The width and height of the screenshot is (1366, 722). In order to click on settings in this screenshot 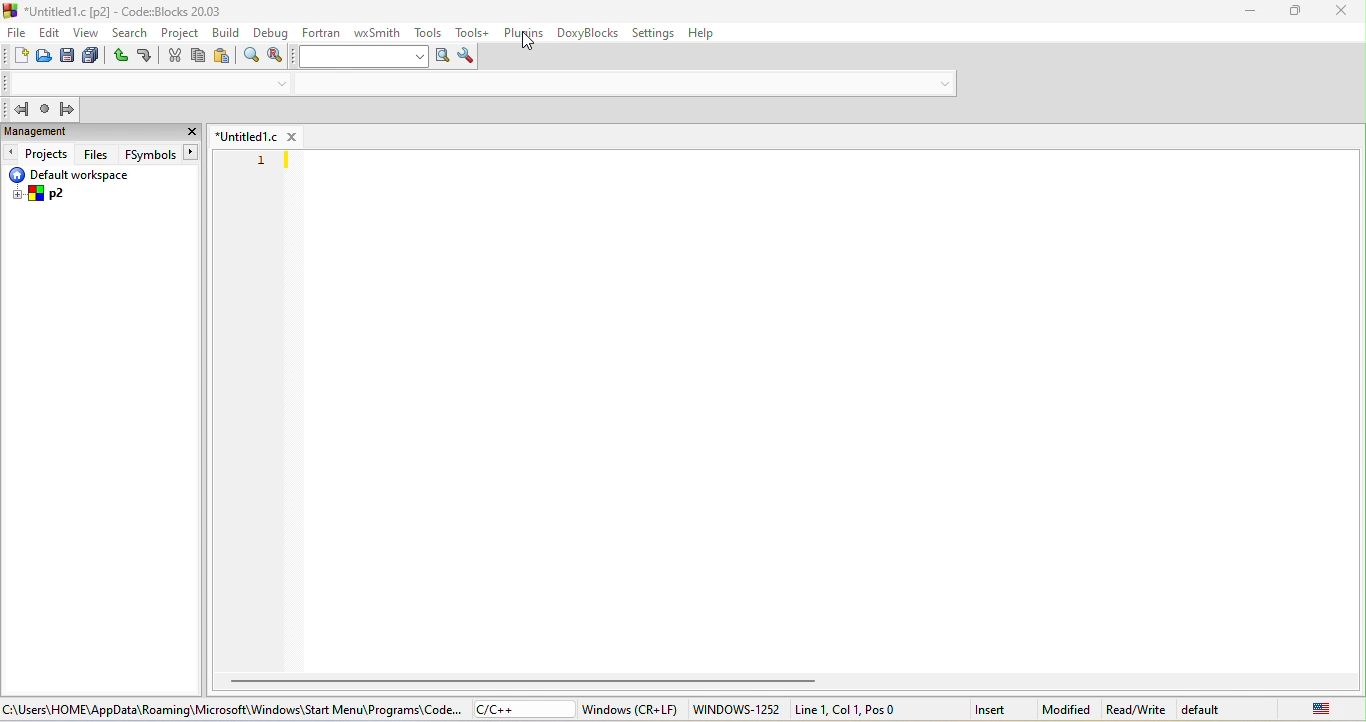, I will do `click(654, 34)`.